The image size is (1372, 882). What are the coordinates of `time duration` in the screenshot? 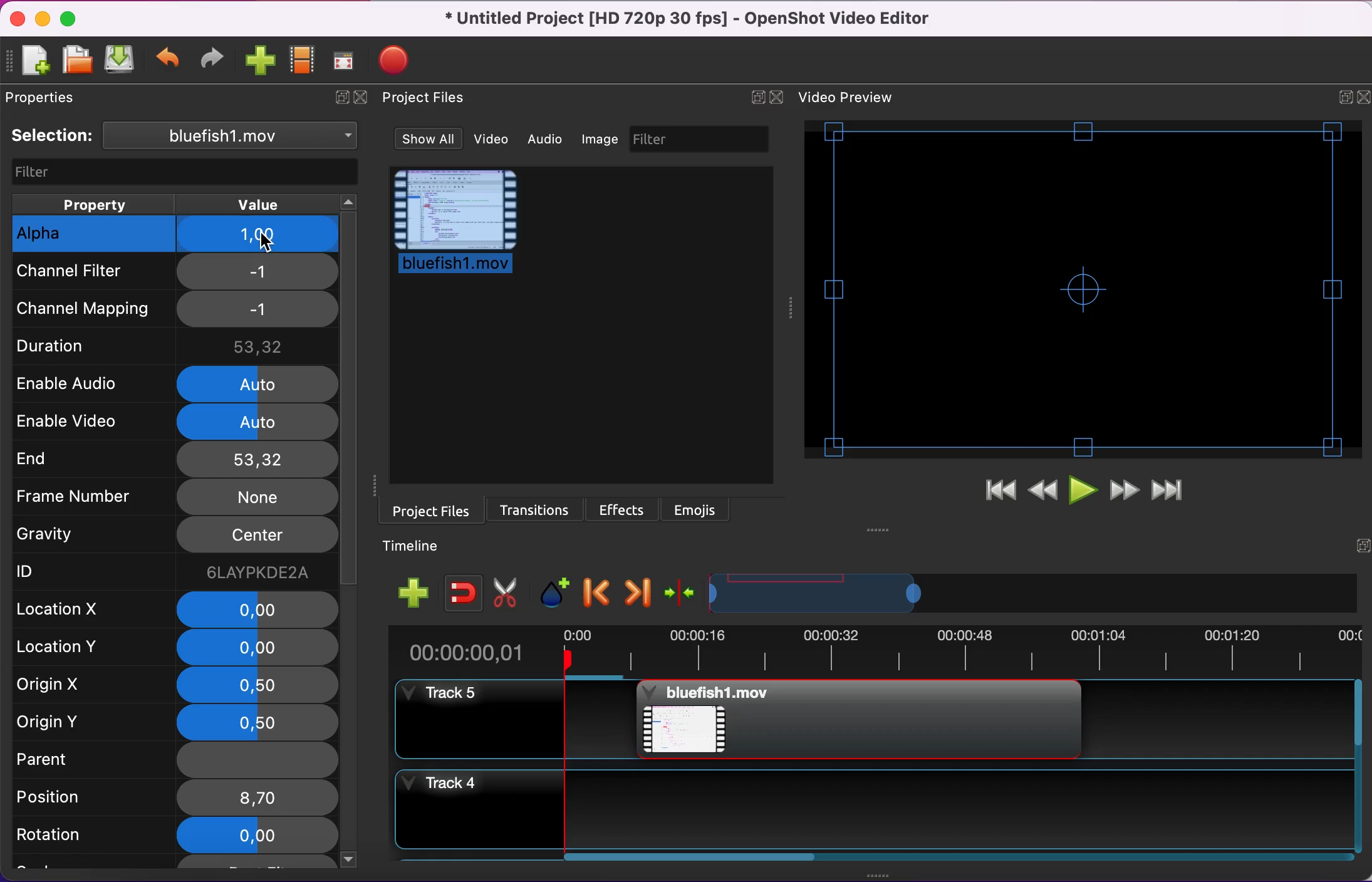 It's located at (883, 652).